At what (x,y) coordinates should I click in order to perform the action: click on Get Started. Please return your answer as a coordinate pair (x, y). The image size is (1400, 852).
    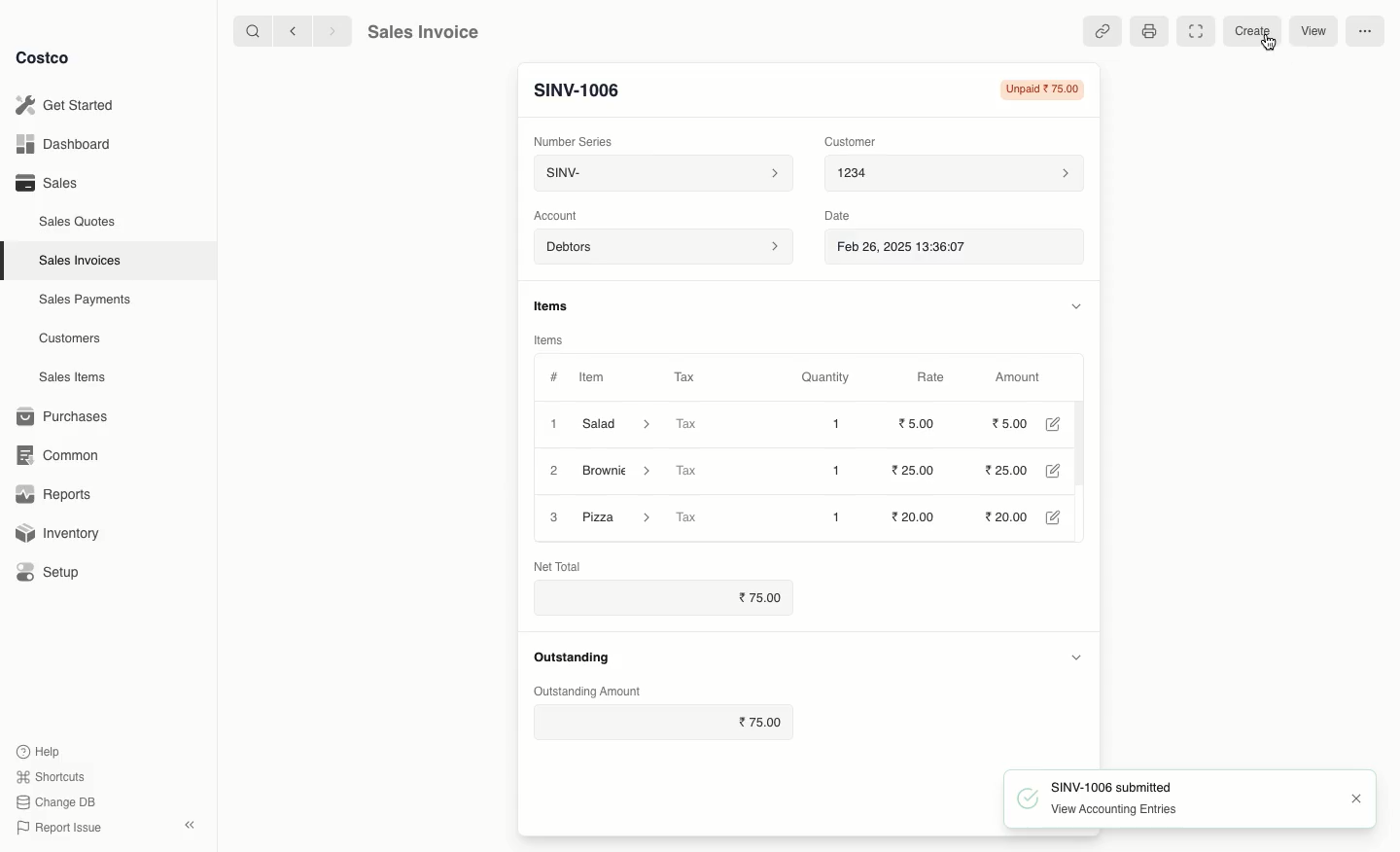
    Looking at the image, I should click on (64, 104).